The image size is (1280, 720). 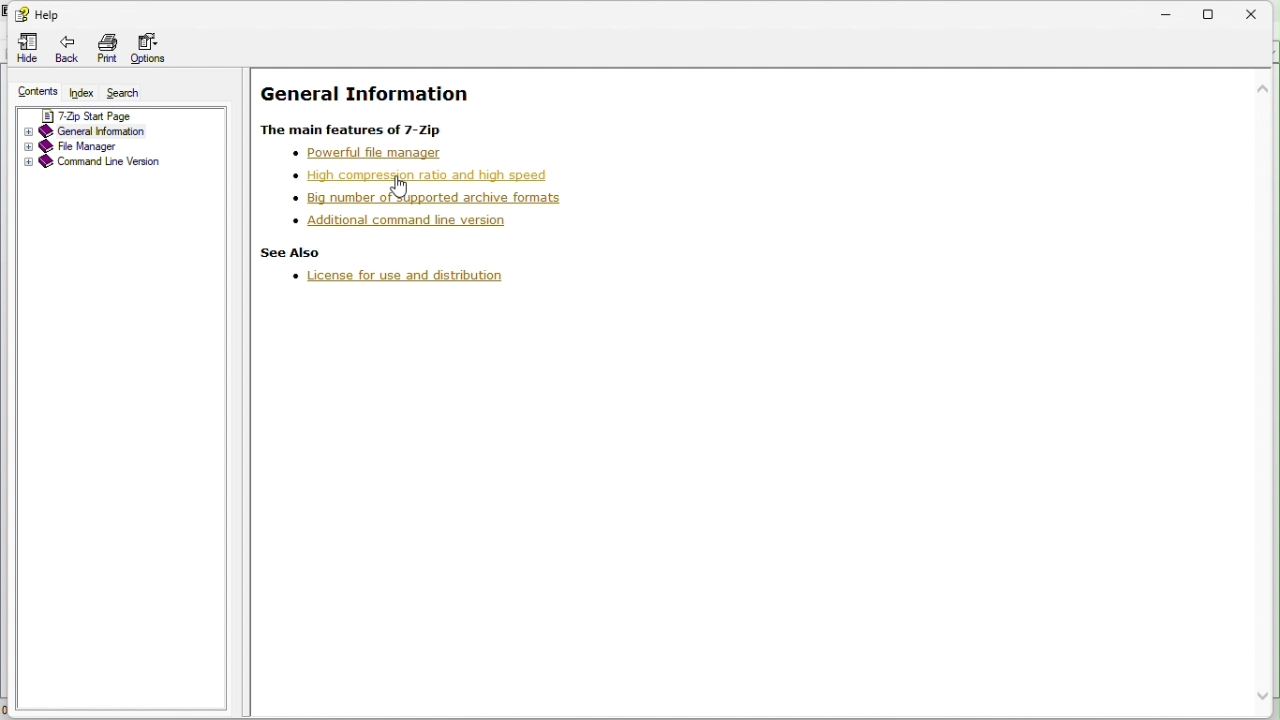 What do you see at coordinates (148, 47) in the screenshot?
I see `Options` at bounding box center [148, 47].